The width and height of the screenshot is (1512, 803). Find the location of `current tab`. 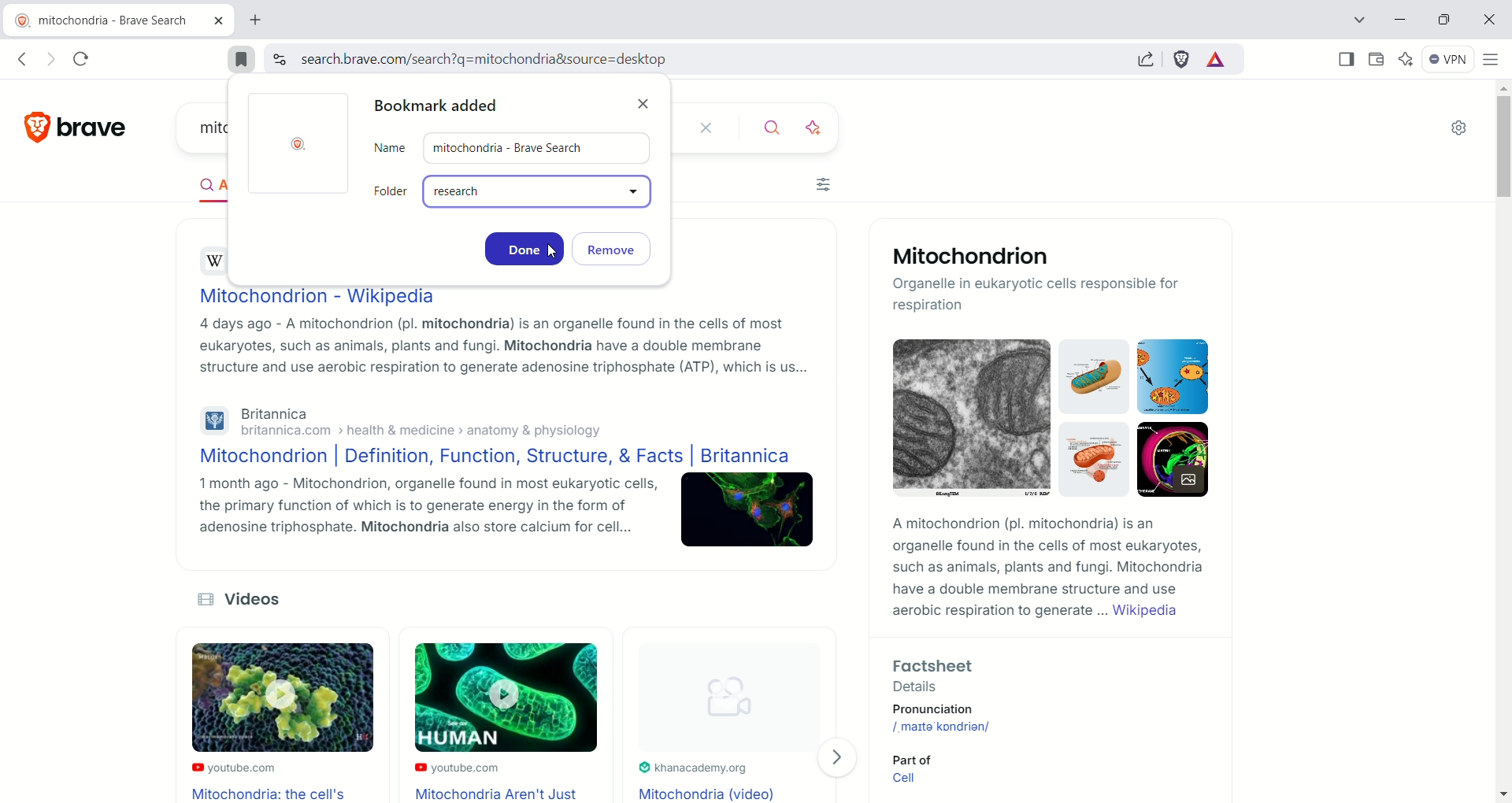

current tab is located at coordinates (105, 20).